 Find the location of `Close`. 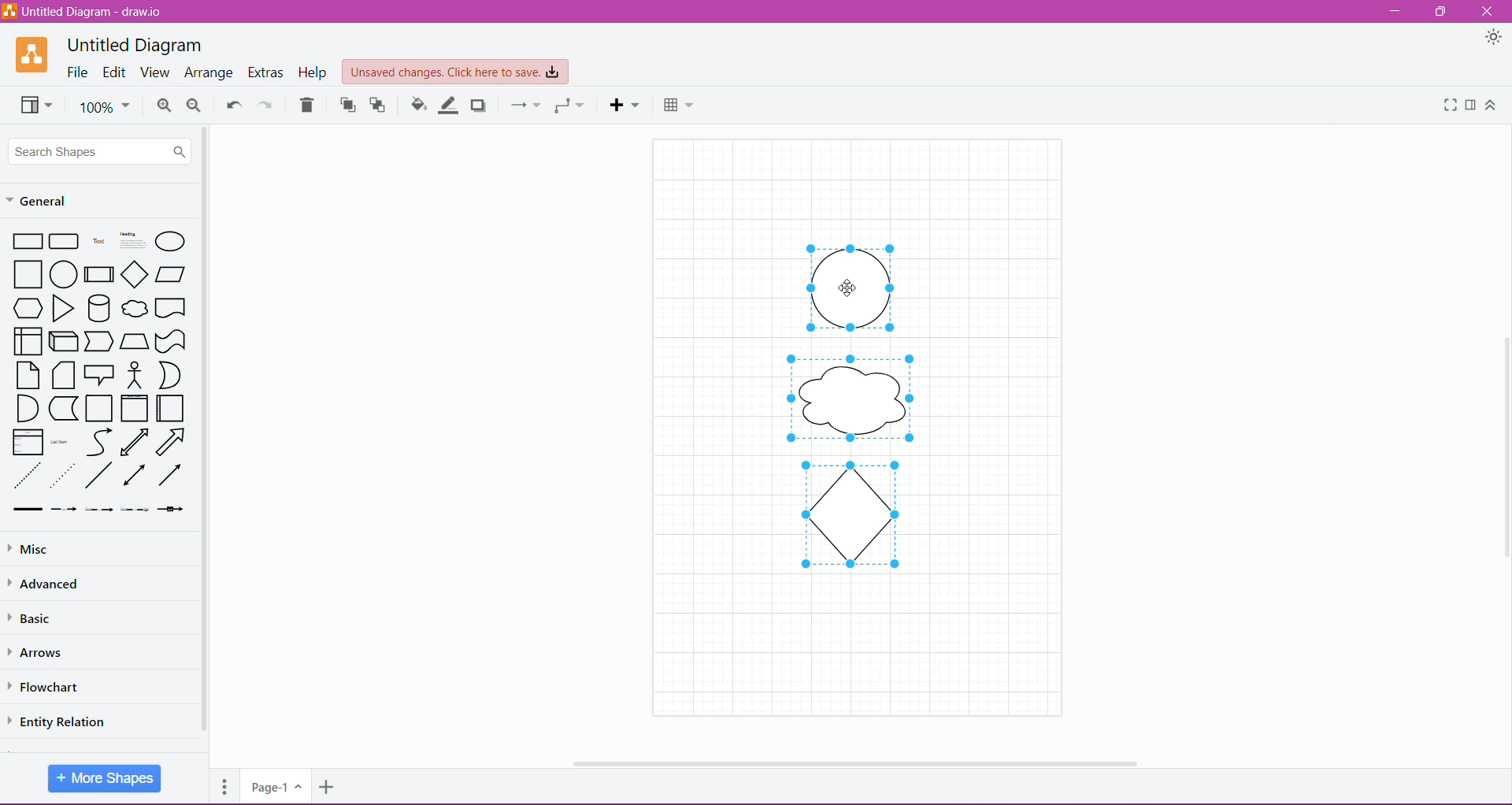

Close is located at coordinates (1487, 12).